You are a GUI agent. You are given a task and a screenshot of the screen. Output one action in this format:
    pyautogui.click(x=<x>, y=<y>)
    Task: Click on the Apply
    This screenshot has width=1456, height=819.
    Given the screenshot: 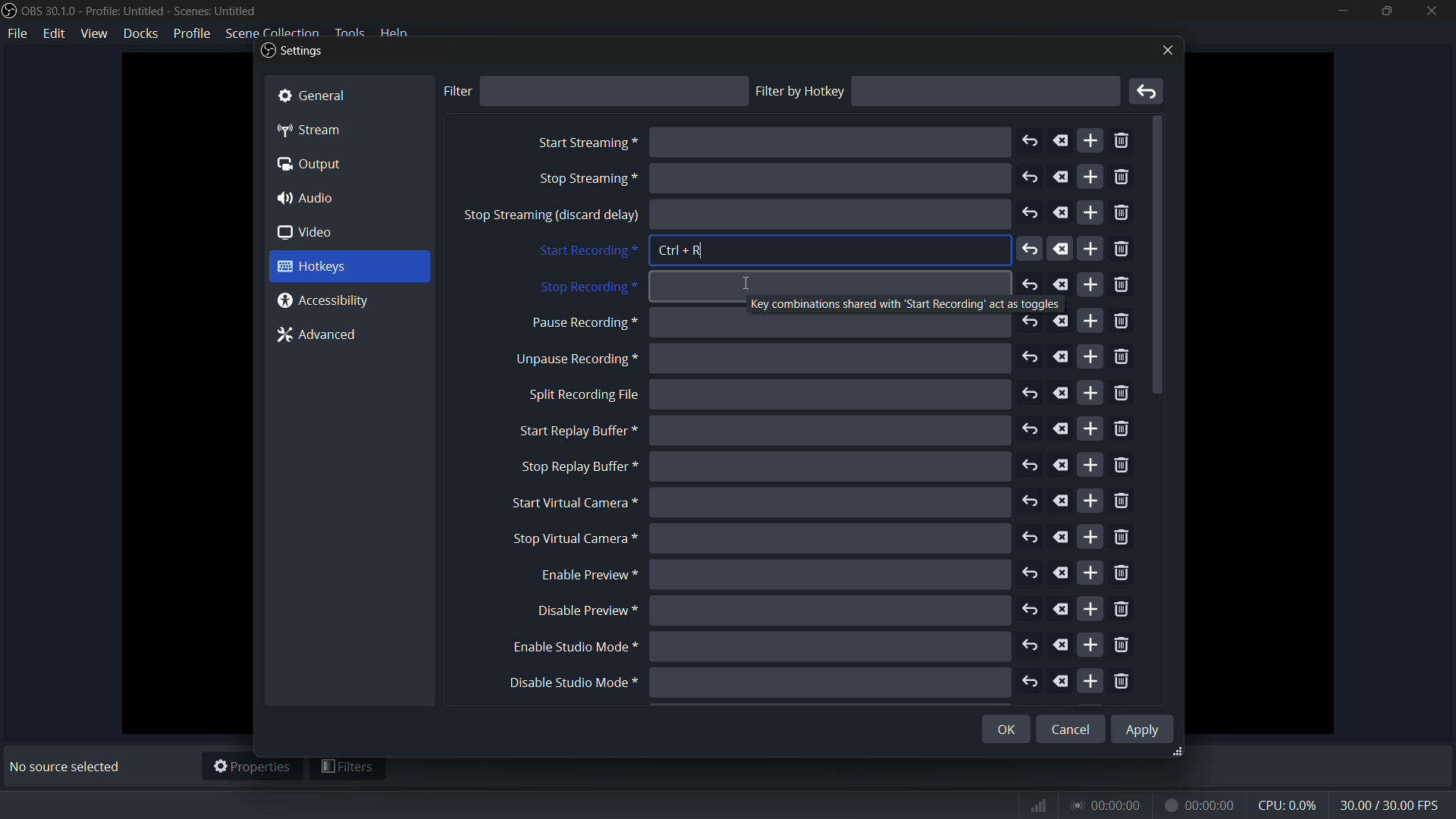 What is the action you would take?
    pyautogui.click(x=1145, y=728)
    